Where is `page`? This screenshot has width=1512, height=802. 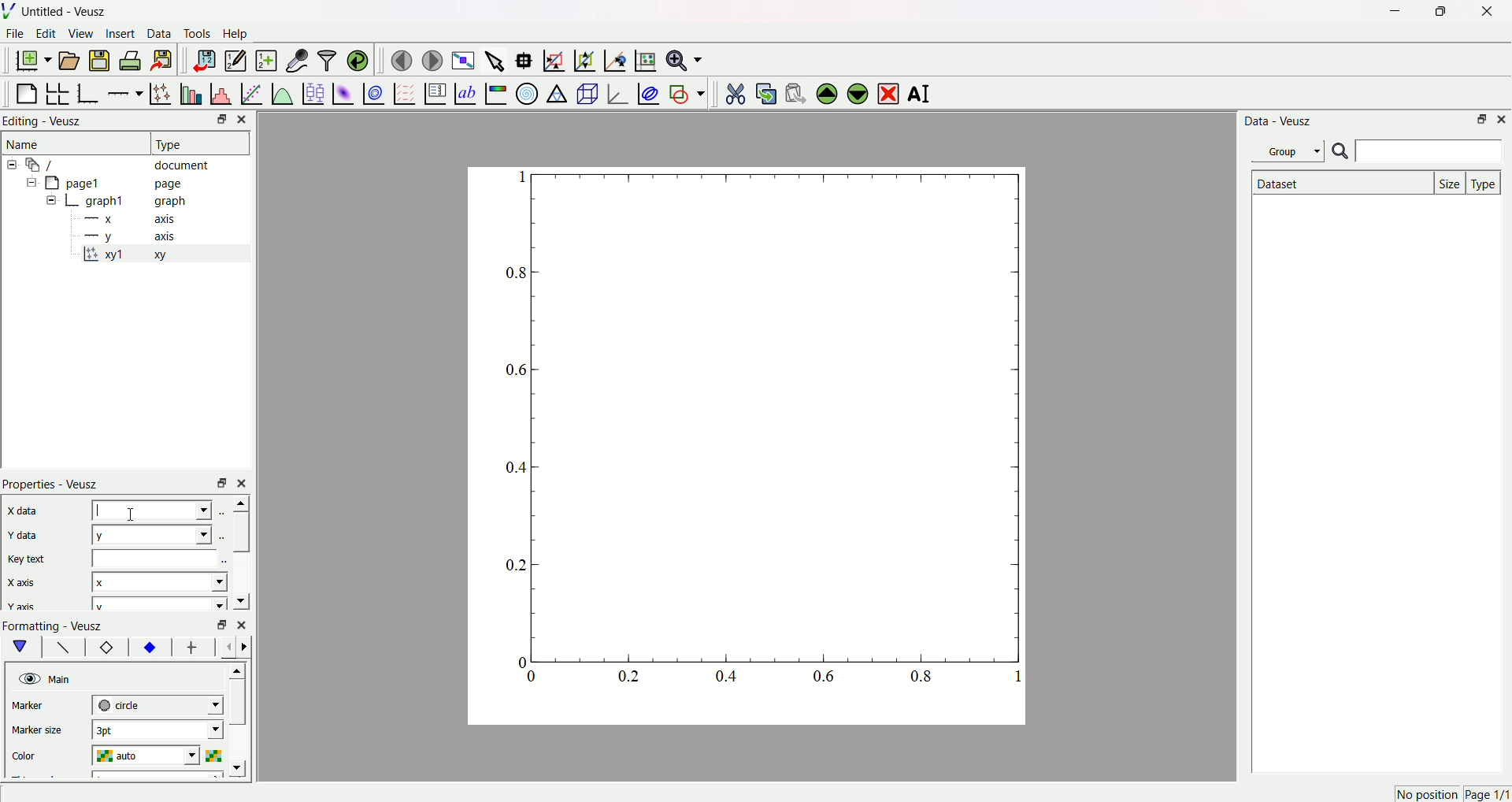
page is located at coordinates (736, 450).